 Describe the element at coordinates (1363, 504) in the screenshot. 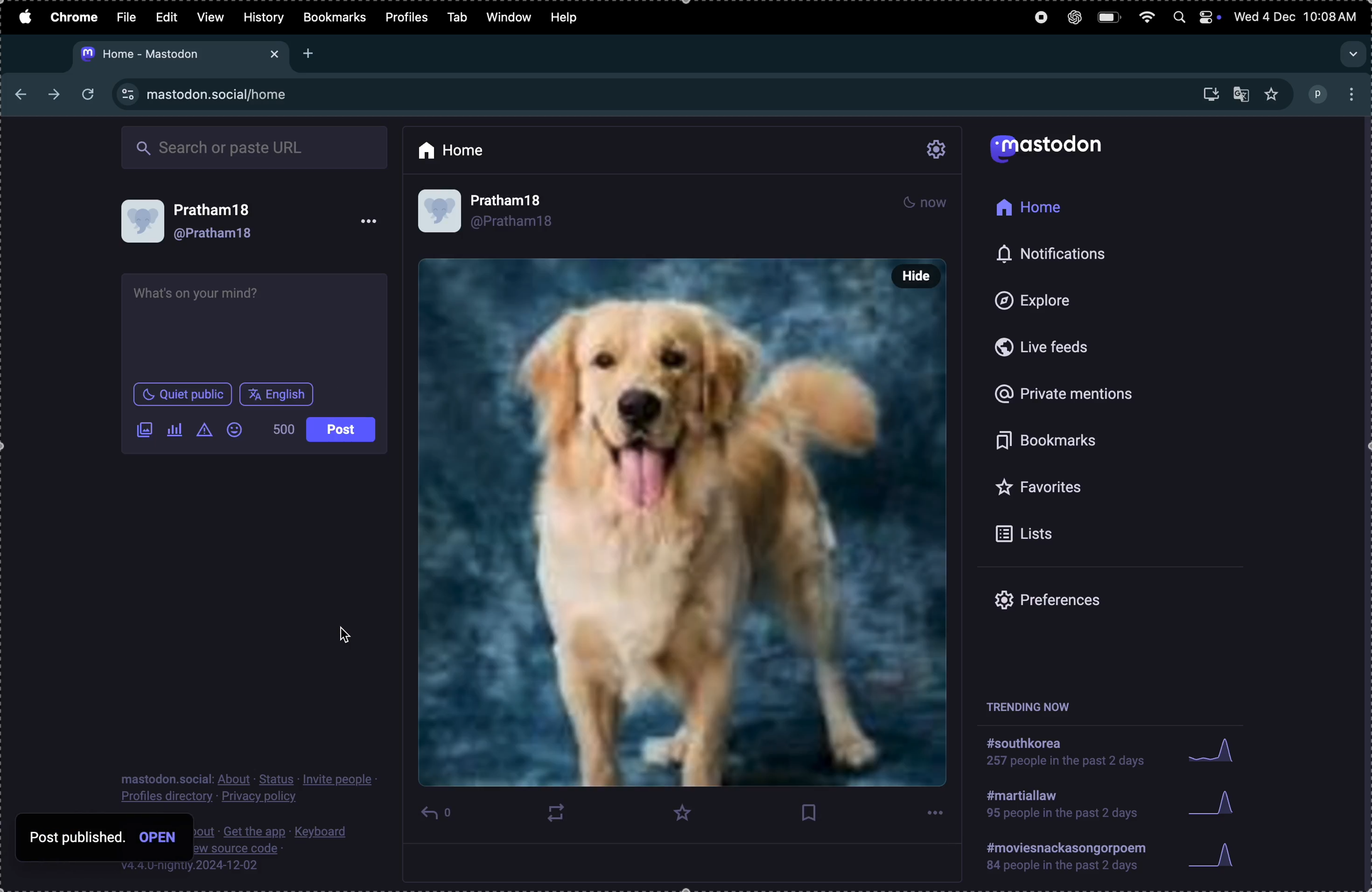

I see `scrollbar` at that location.